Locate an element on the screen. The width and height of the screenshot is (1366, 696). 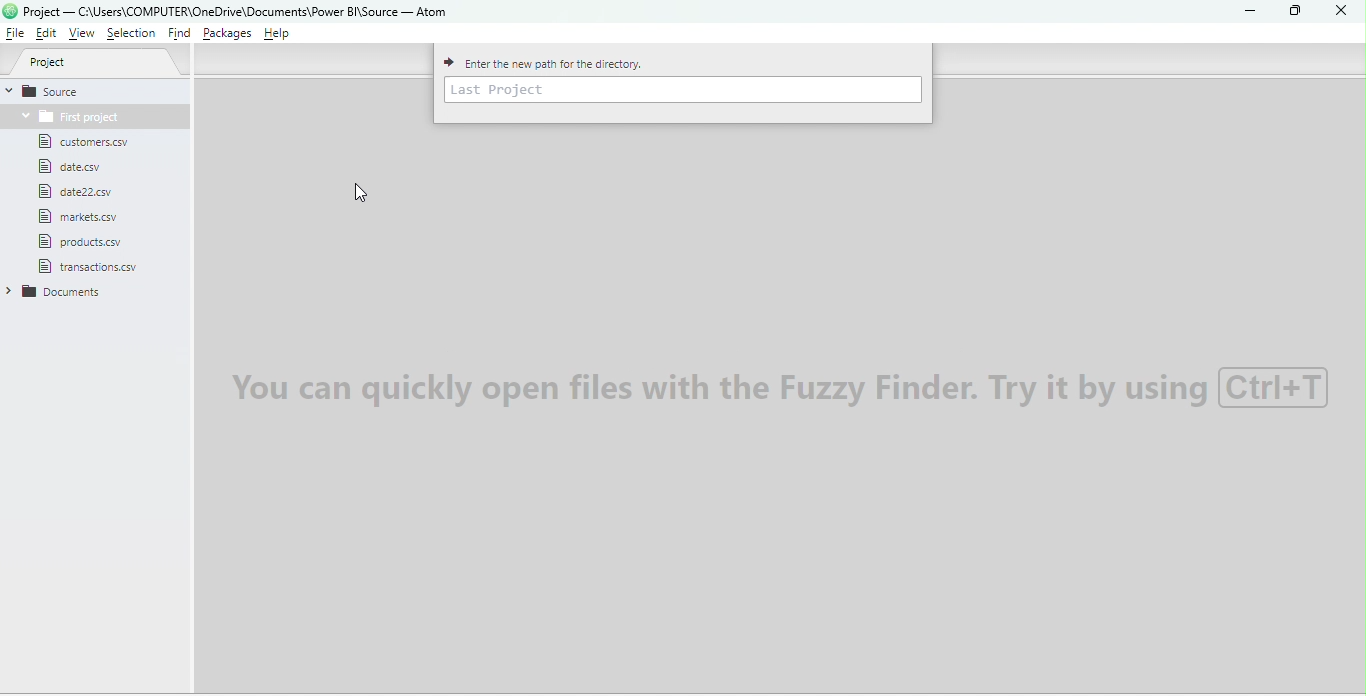
File is located at coordinates (91, 266).